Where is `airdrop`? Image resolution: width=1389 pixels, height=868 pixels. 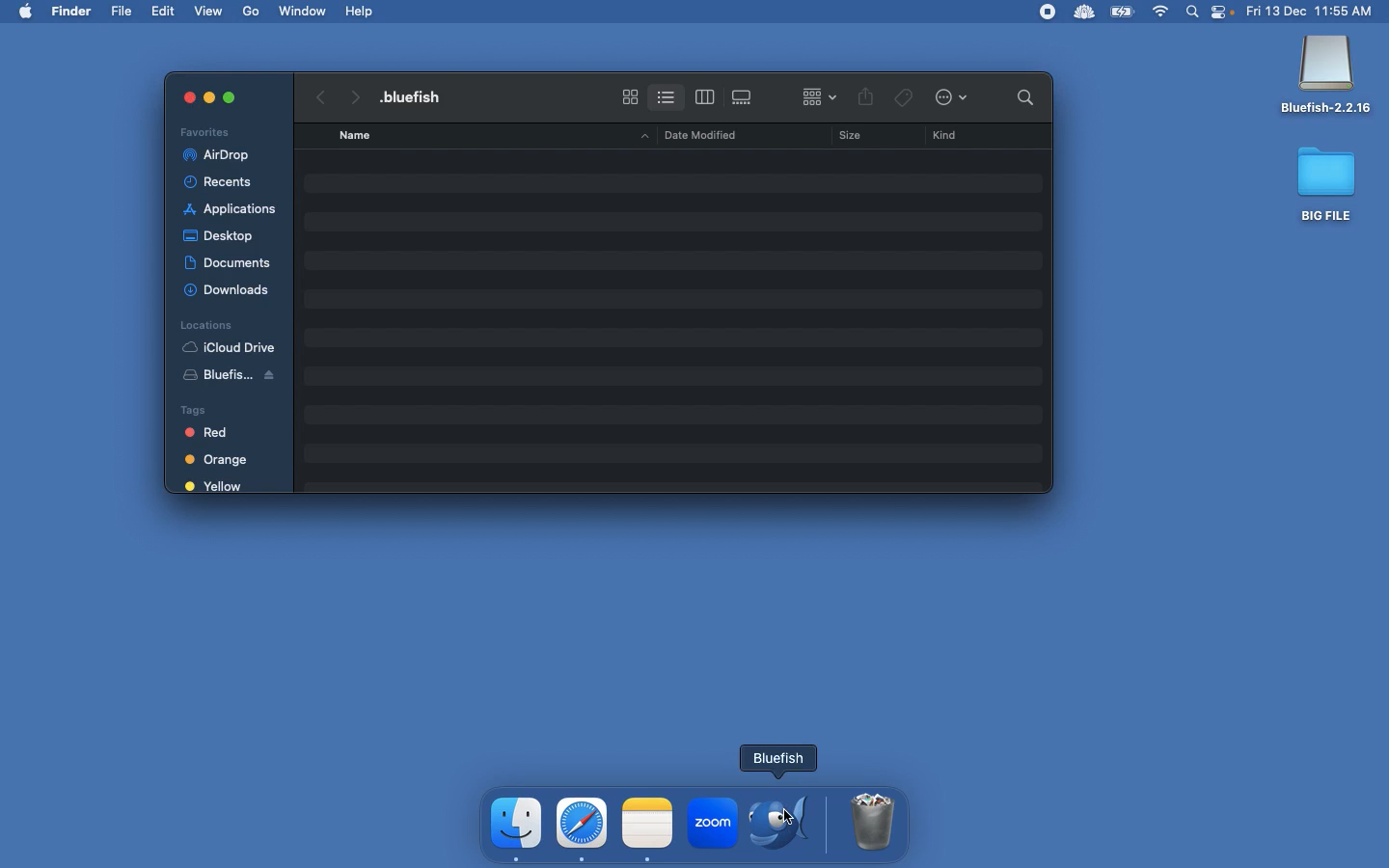 airdrop is located at coordinates (220, 155).